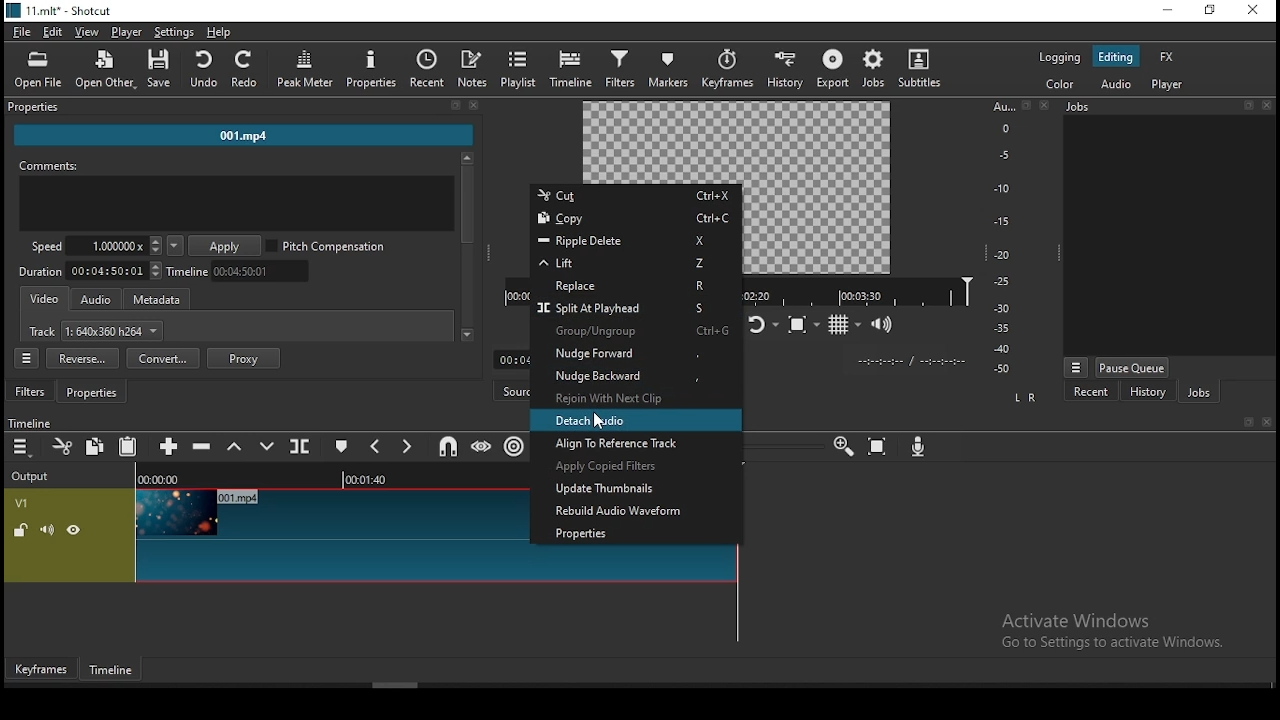 The height and width of the screenshot is (720, 1280). I want to click on recent, so click(426, 67).